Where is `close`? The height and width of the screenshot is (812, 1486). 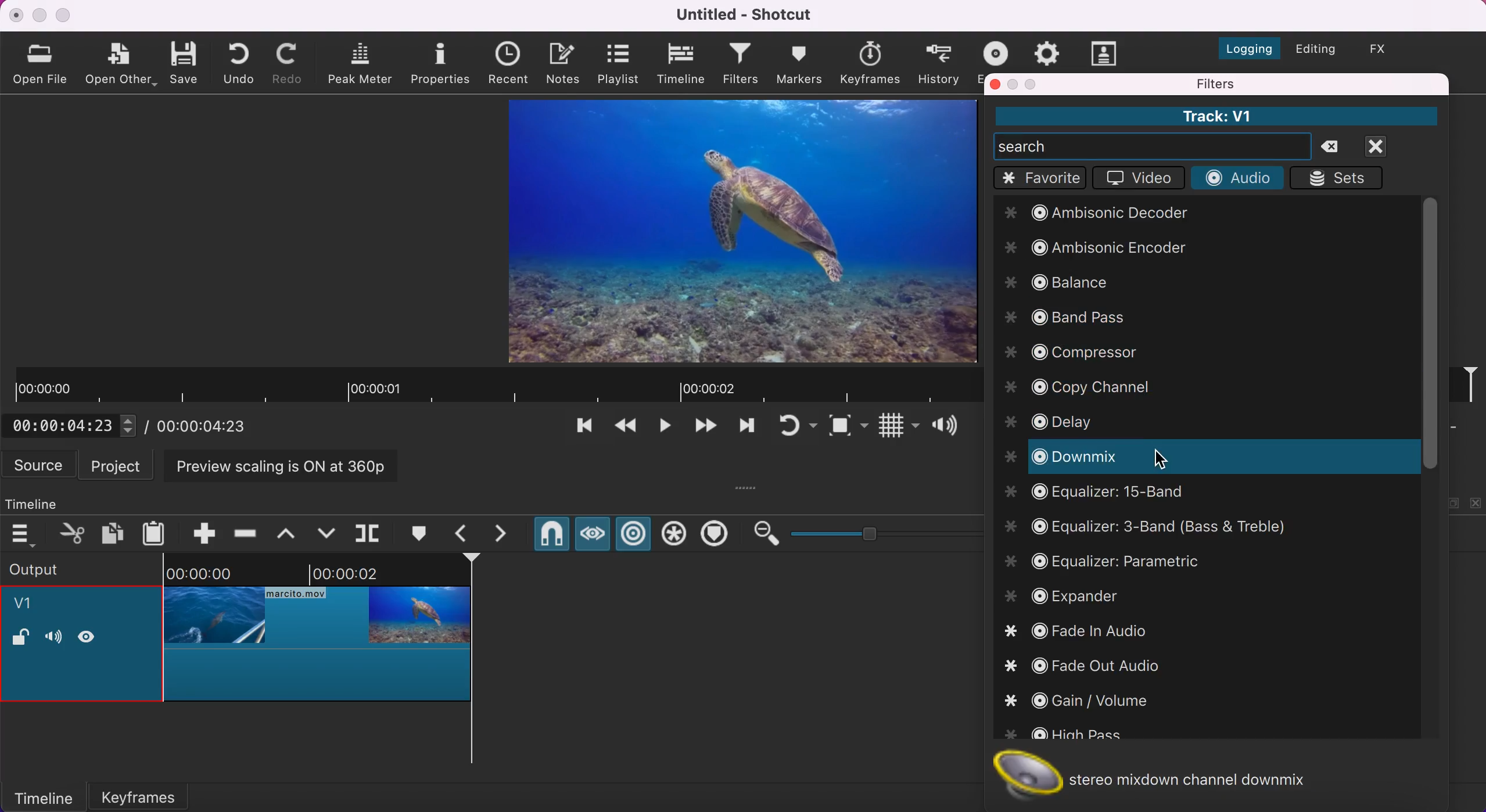
close is located at coordinates (1390, 146).